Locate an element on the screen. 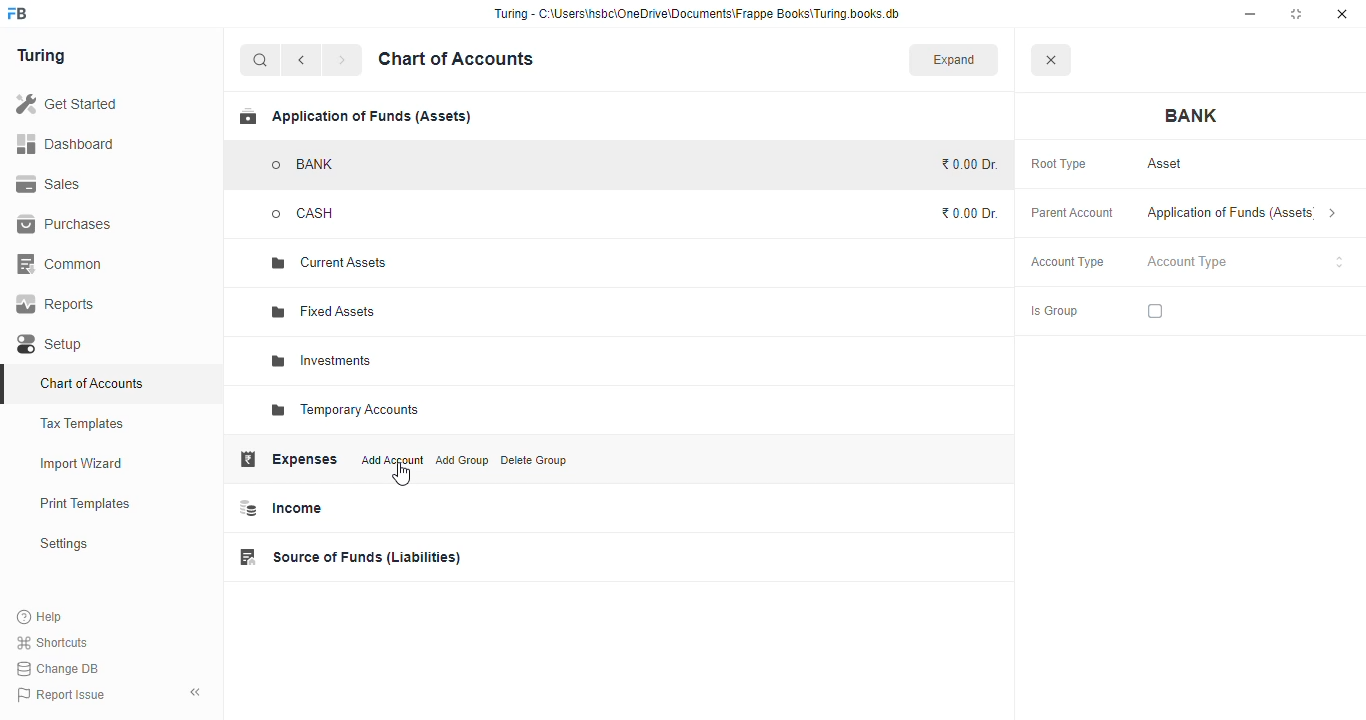 This screenshot has width=1366, height=720. setup is located at coordinates (52, 344).